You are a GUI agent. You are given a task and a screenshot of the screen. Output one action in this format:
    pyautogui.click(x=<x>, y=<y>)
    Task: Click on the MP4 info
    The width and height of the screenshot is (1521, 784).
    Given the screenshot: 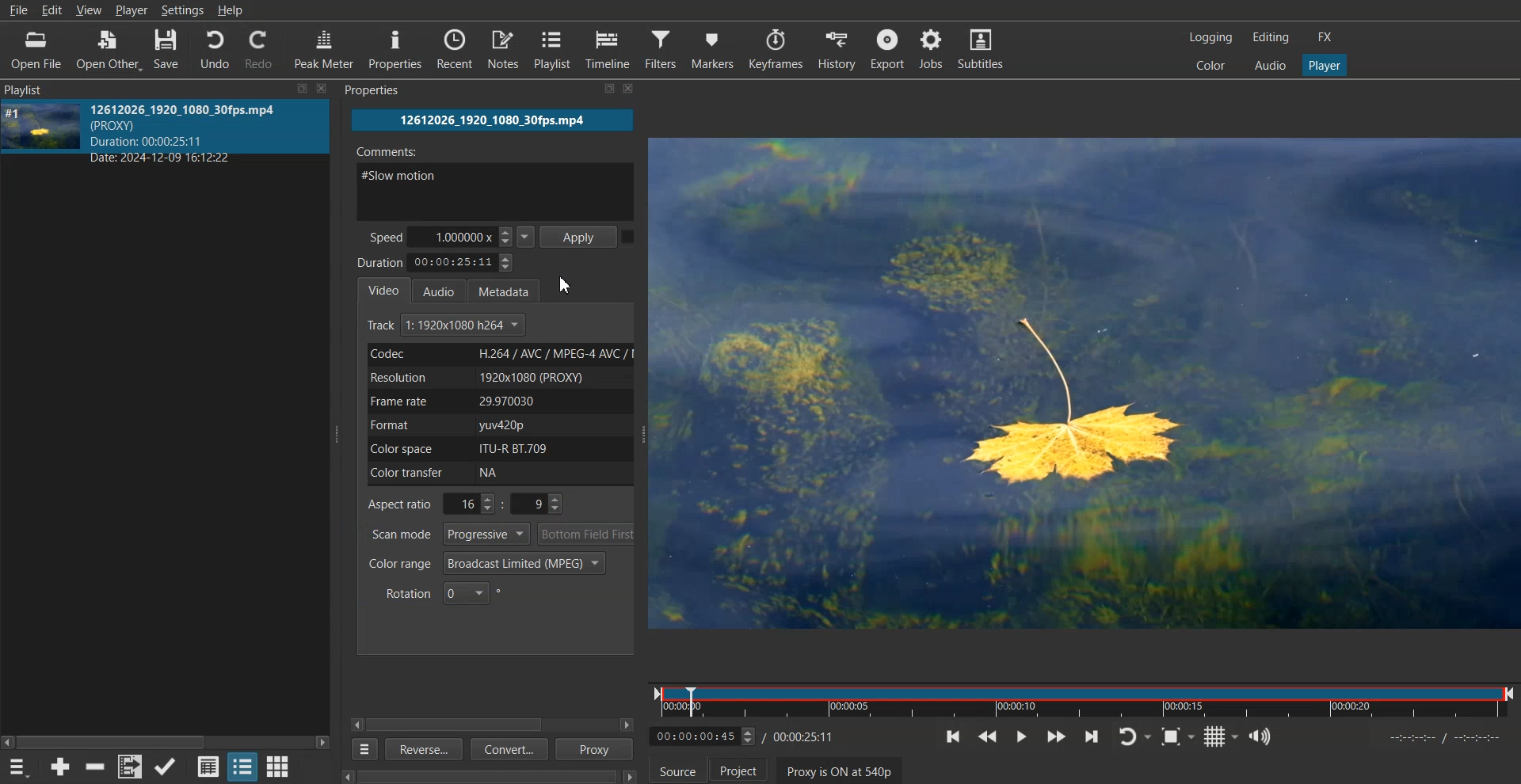 What is the action you would take?
    pyautogui.click(x=200, y=133)
    